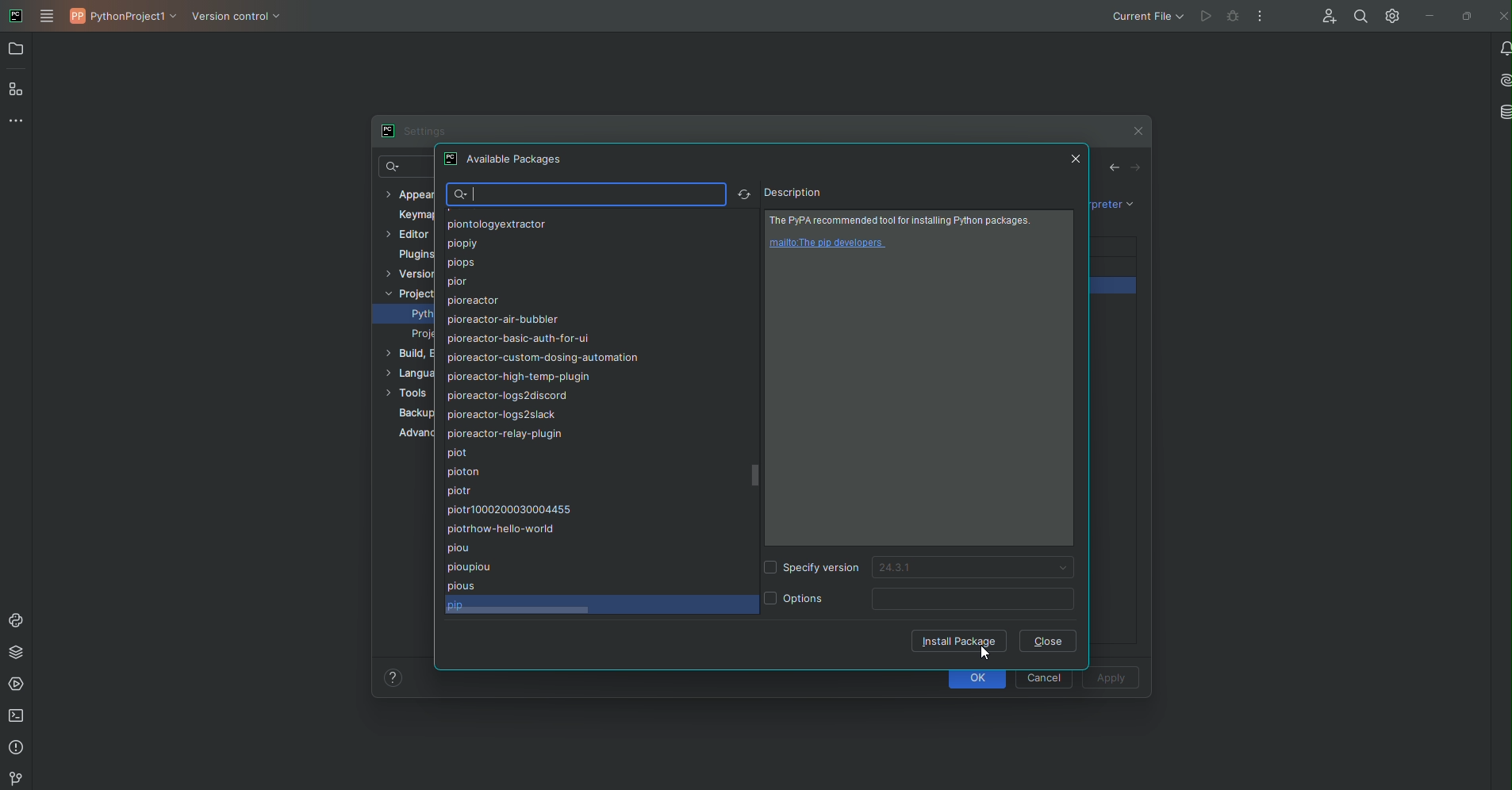 The width and height of the screenshot is (1512, 790). I want to click on Notifications, so click(1502, 48).